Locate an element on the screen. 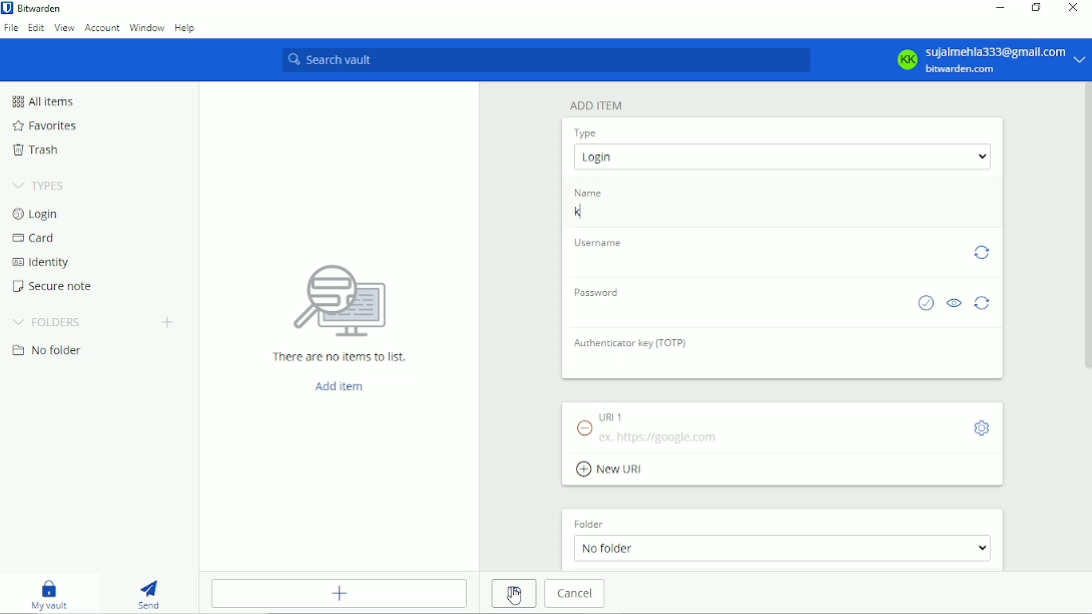  Folders is located at coordinates (47, 323).